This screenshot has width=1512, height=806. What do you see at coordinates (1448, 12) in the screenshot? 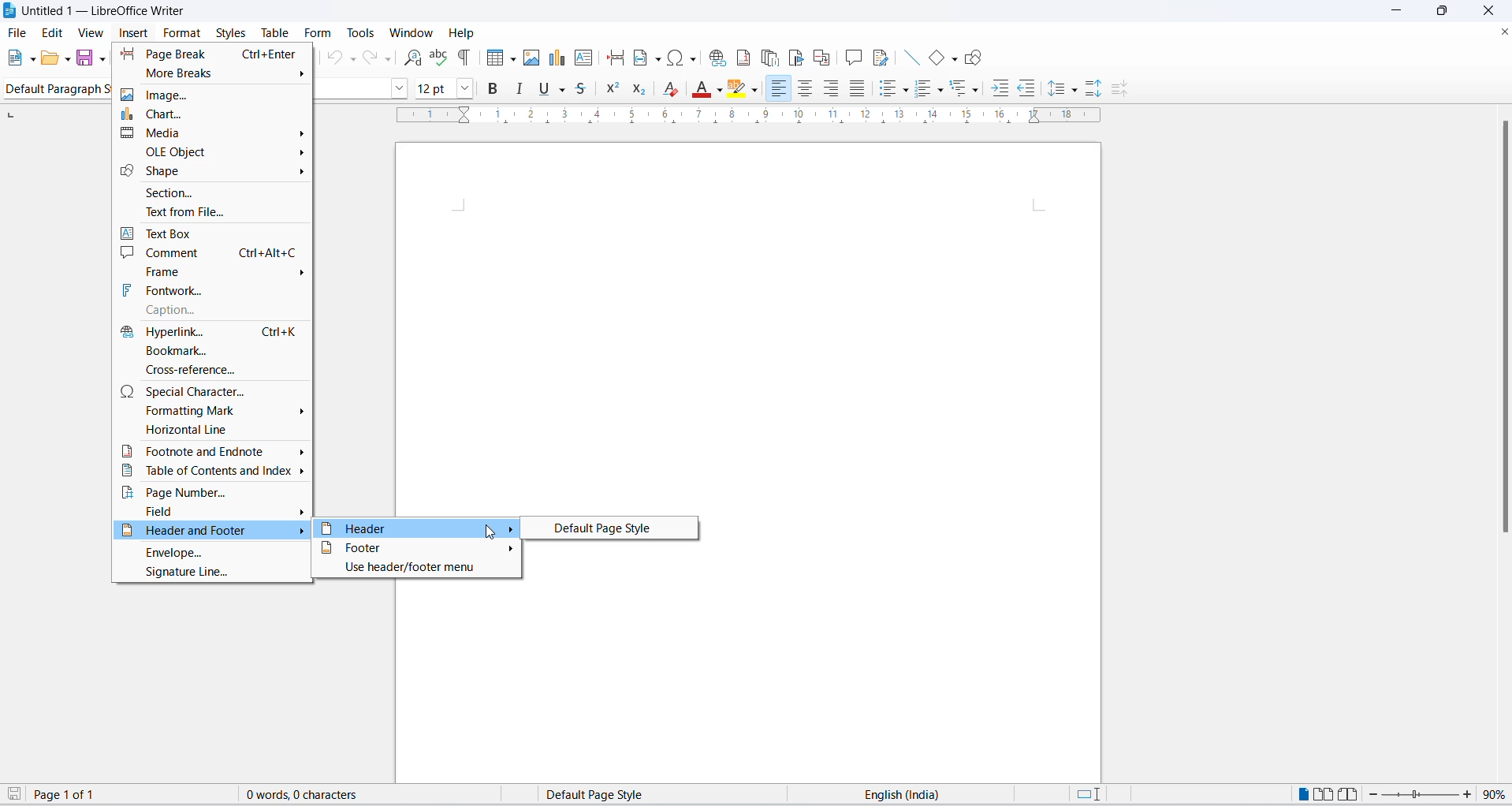
I see `maximize` at bounding box center [1448, 12].